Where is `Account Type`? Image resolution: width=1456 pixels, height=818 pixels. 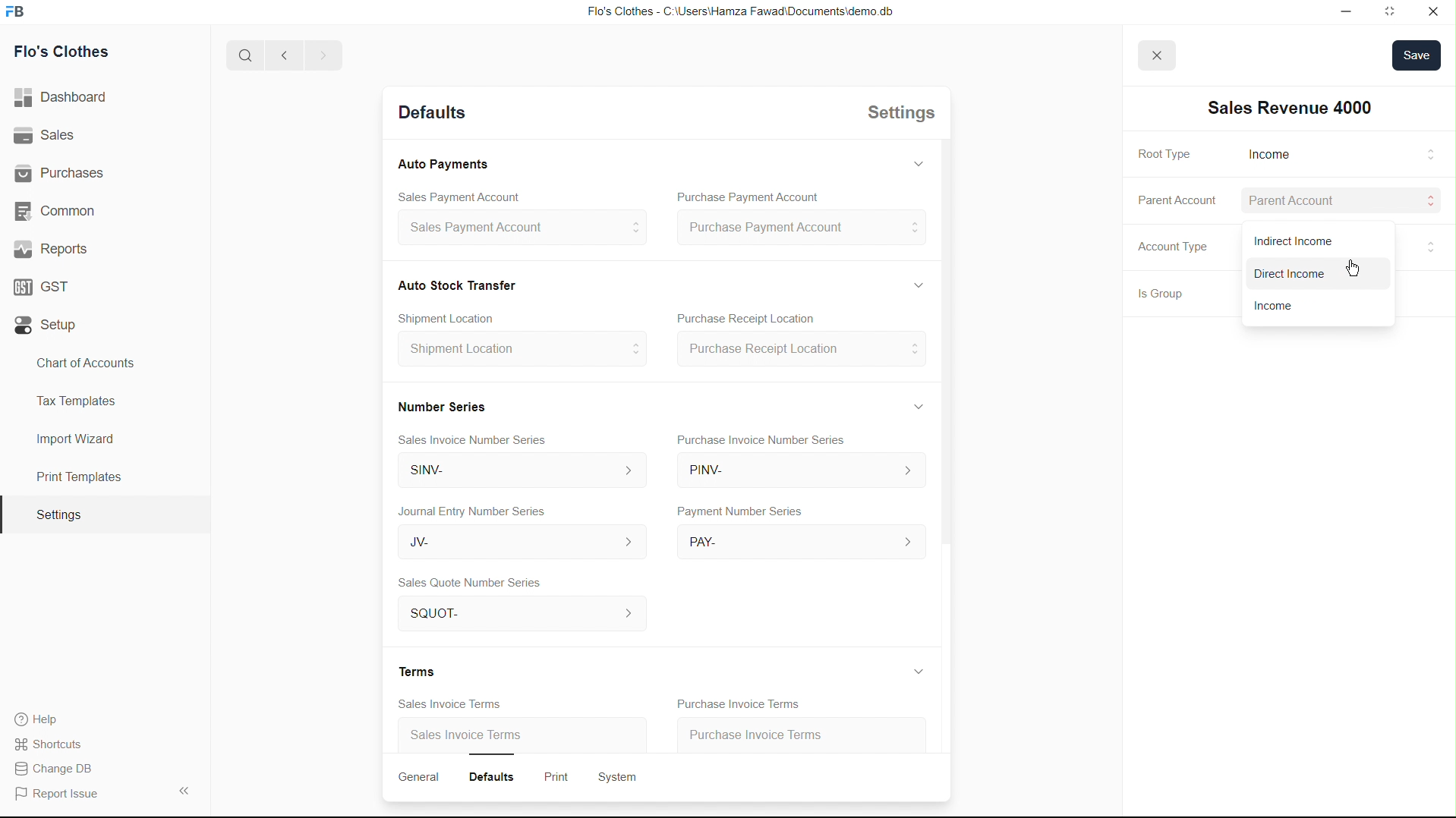 Account Type is located at coordinates (1170, 250).